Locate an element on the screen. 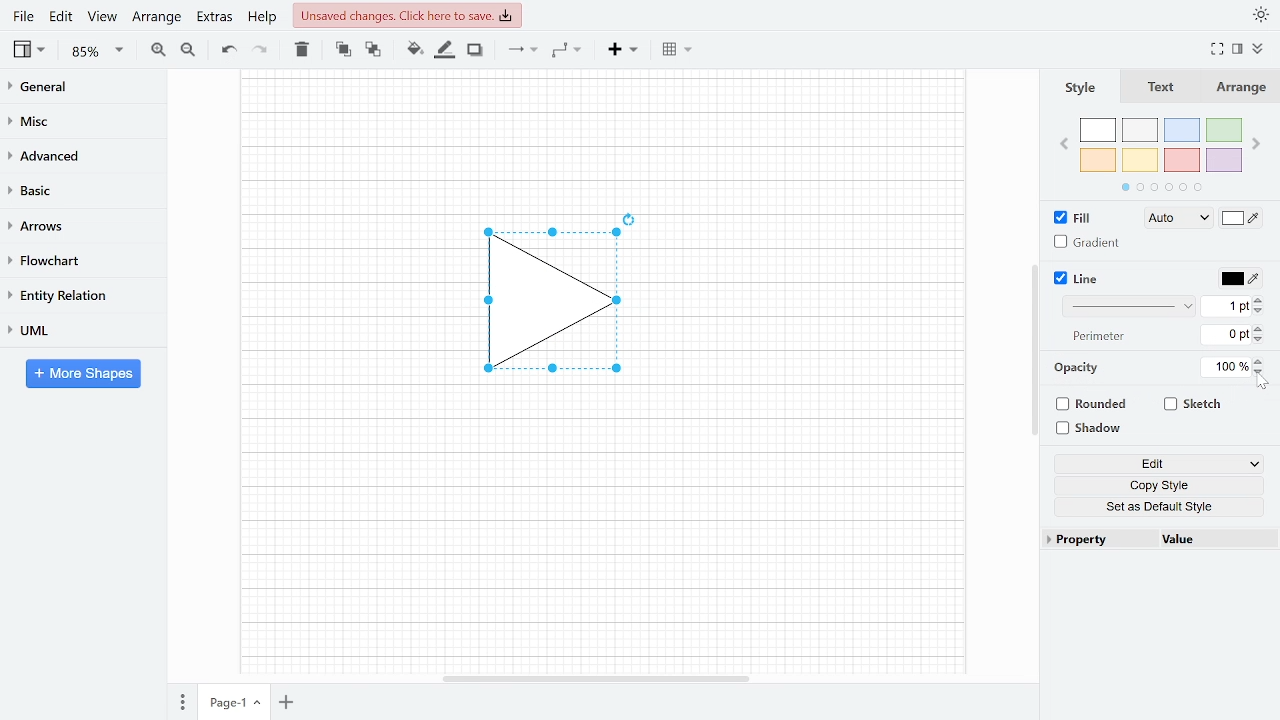  cursor is located at coordinates (1264, 383).